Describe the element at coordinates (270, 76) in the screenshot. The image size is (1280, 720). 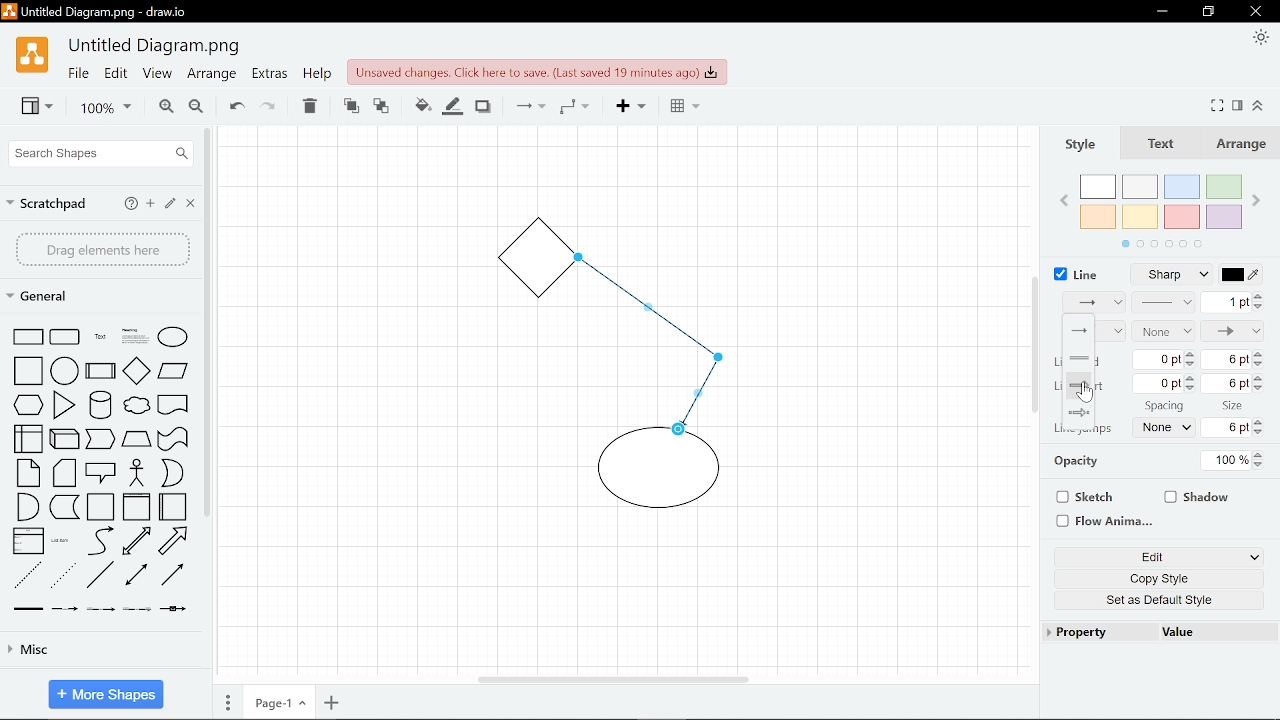
I see `Extras` at that location.